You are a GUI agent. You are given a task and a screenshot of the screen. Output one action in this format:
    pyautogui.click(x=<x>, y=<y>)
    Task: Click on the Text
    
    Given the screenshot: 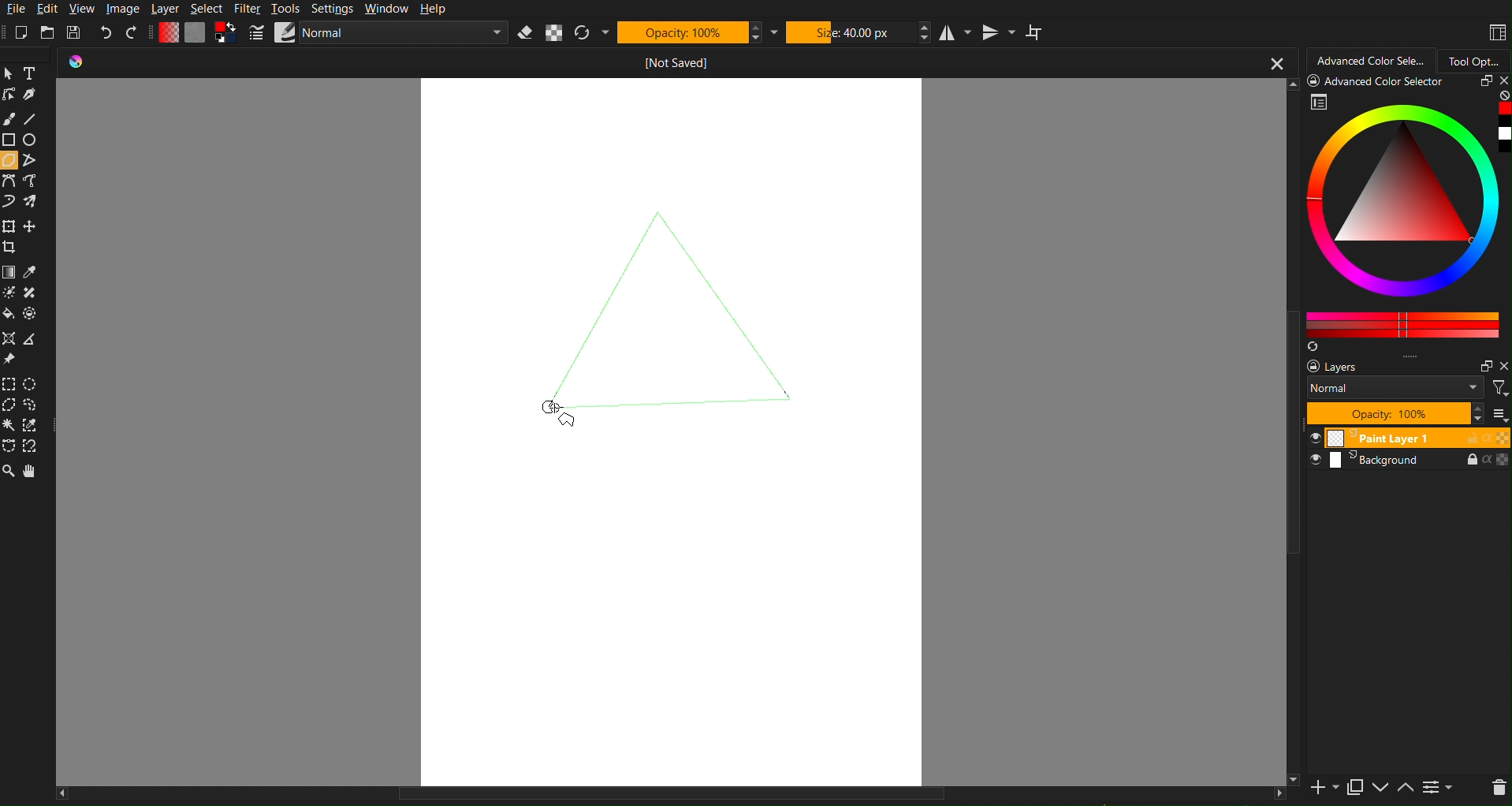 What is the action you would take?
    pyautogui.click(x=35, y=74)
    